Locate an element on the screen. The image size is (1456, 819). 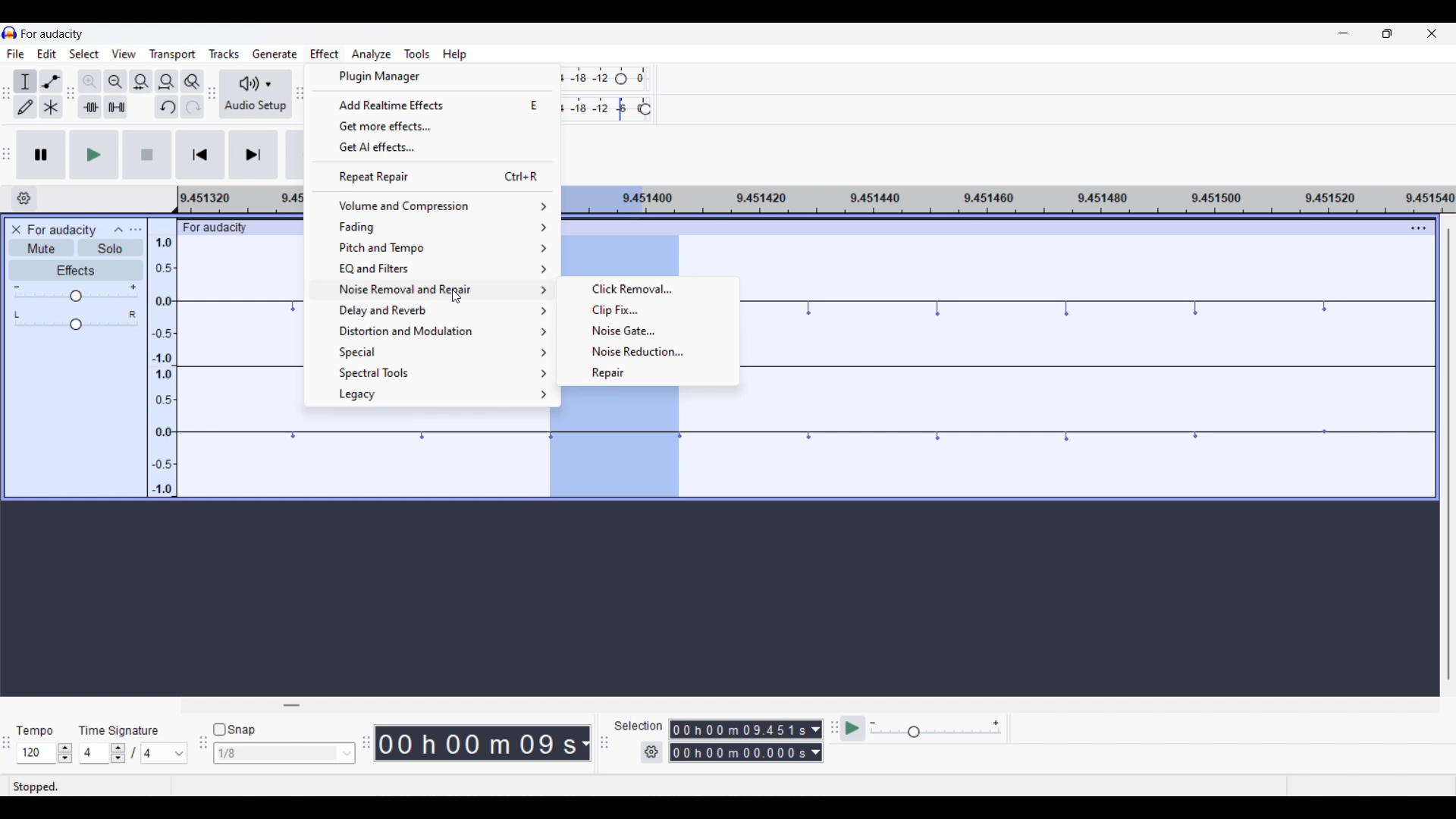
Indicates Tempo settings is located at coordinates (34, 730).